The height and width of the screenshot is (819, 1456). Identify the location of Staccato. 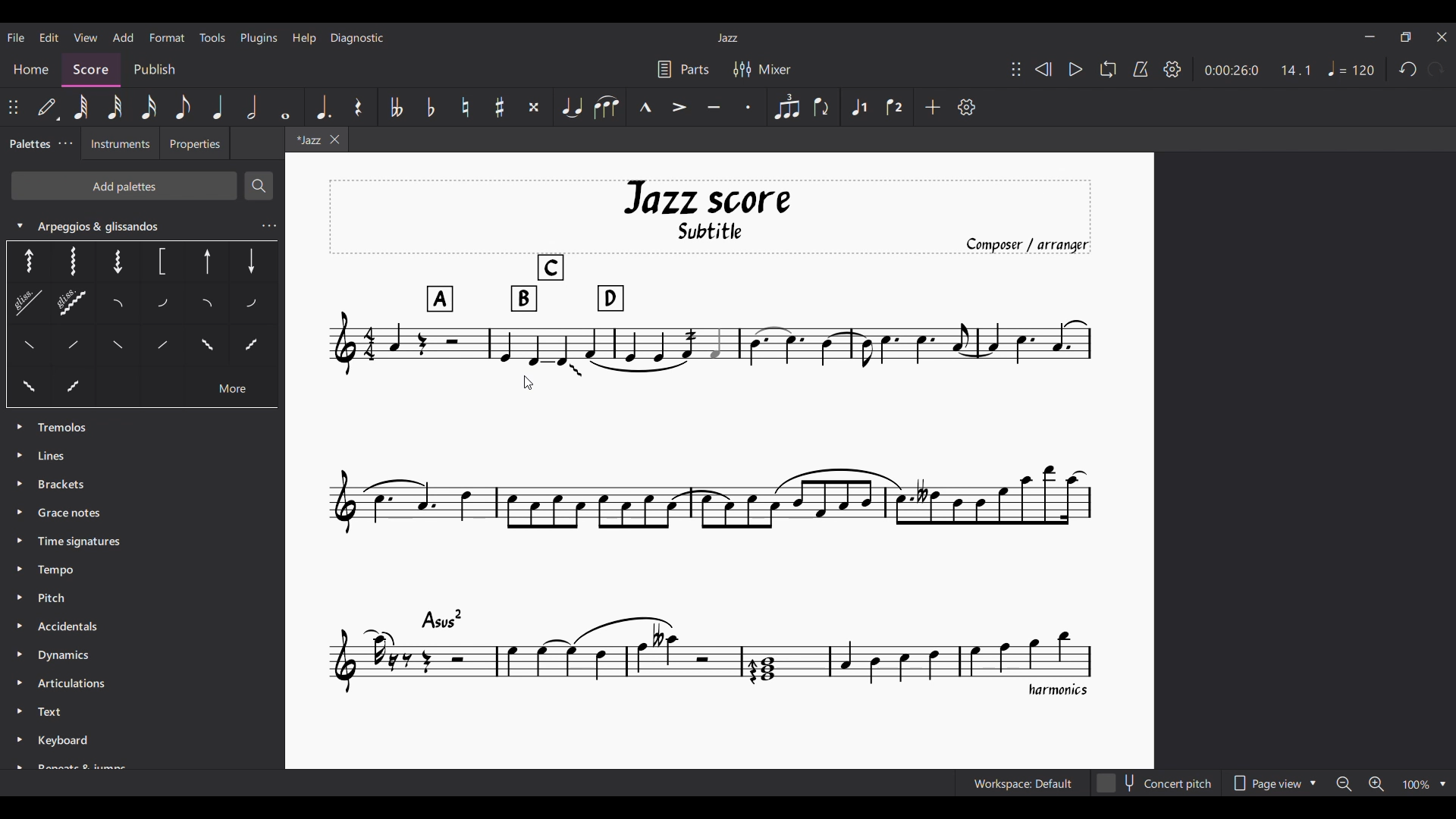
(749, 107).